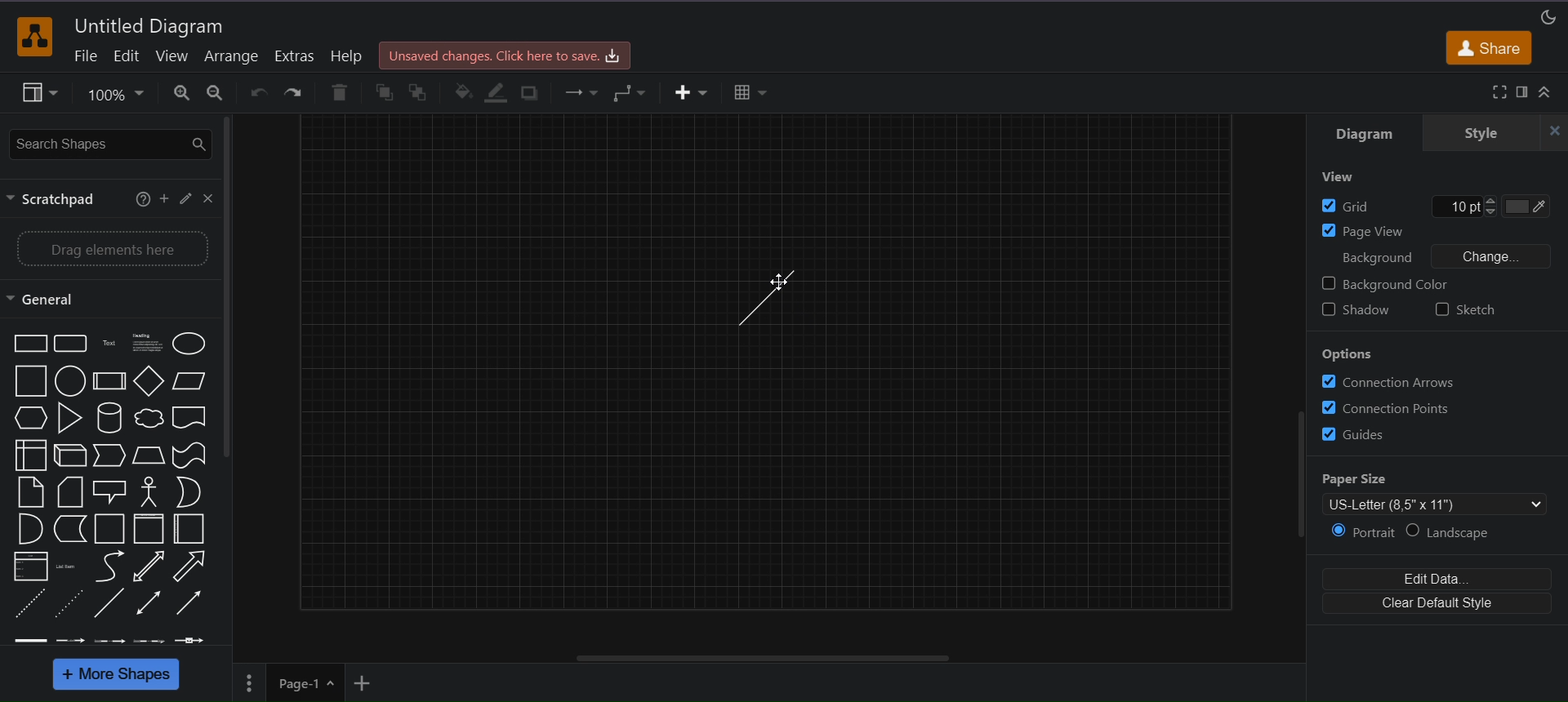 This screenshot has width=1568, height=702. What do you see at coordinates (152, 25) in the screenshot?
I see `title` at bounding box center [152, 25].